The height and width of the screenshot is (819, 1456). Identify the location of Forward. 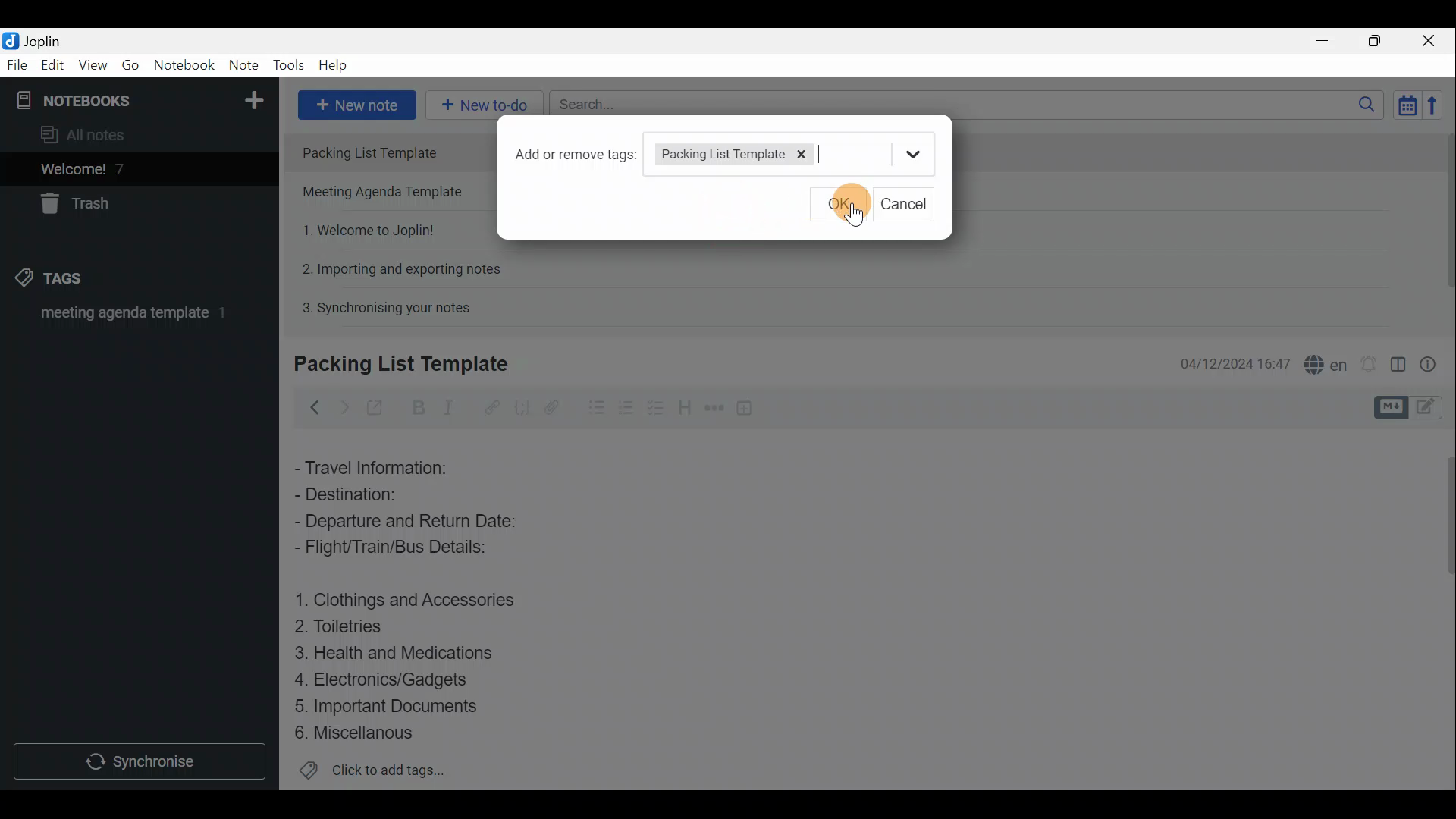
(341, 406).